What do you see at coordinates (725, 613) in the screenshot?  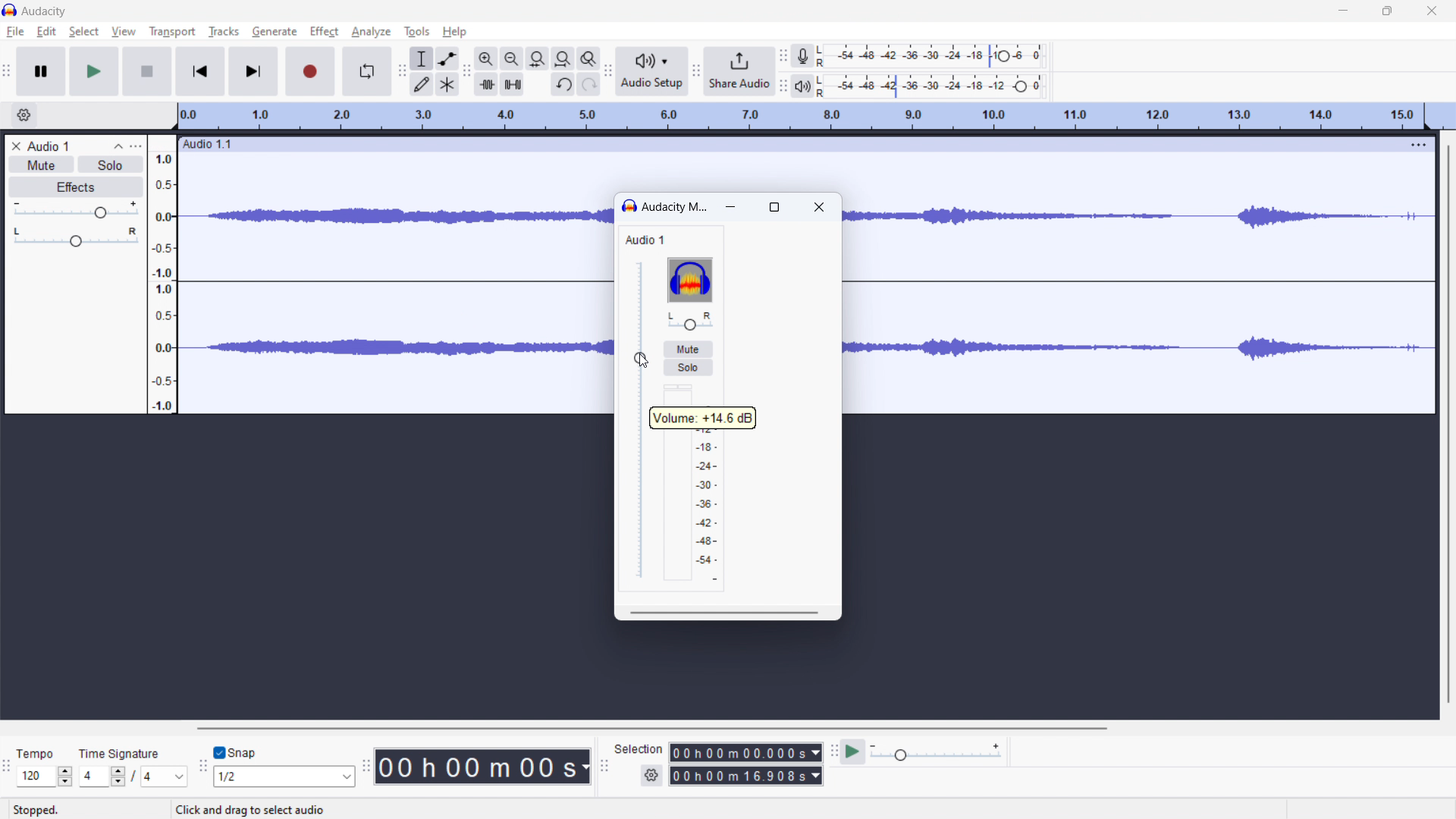 I see `scrollbar` at bounding box center [725, 613].